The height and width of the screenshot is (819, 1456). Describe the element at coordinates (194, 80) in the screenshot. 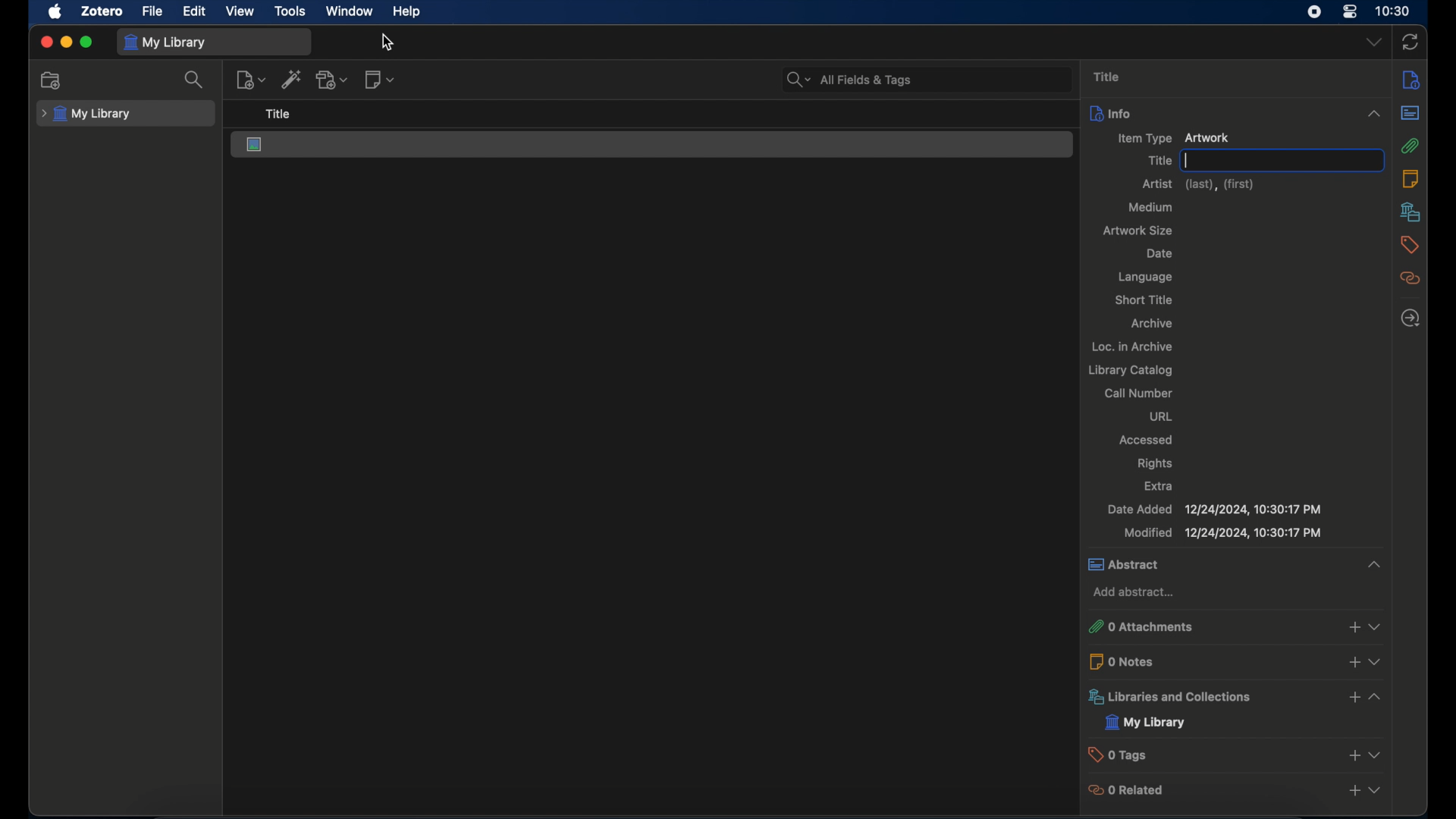

I see `search` at that location.